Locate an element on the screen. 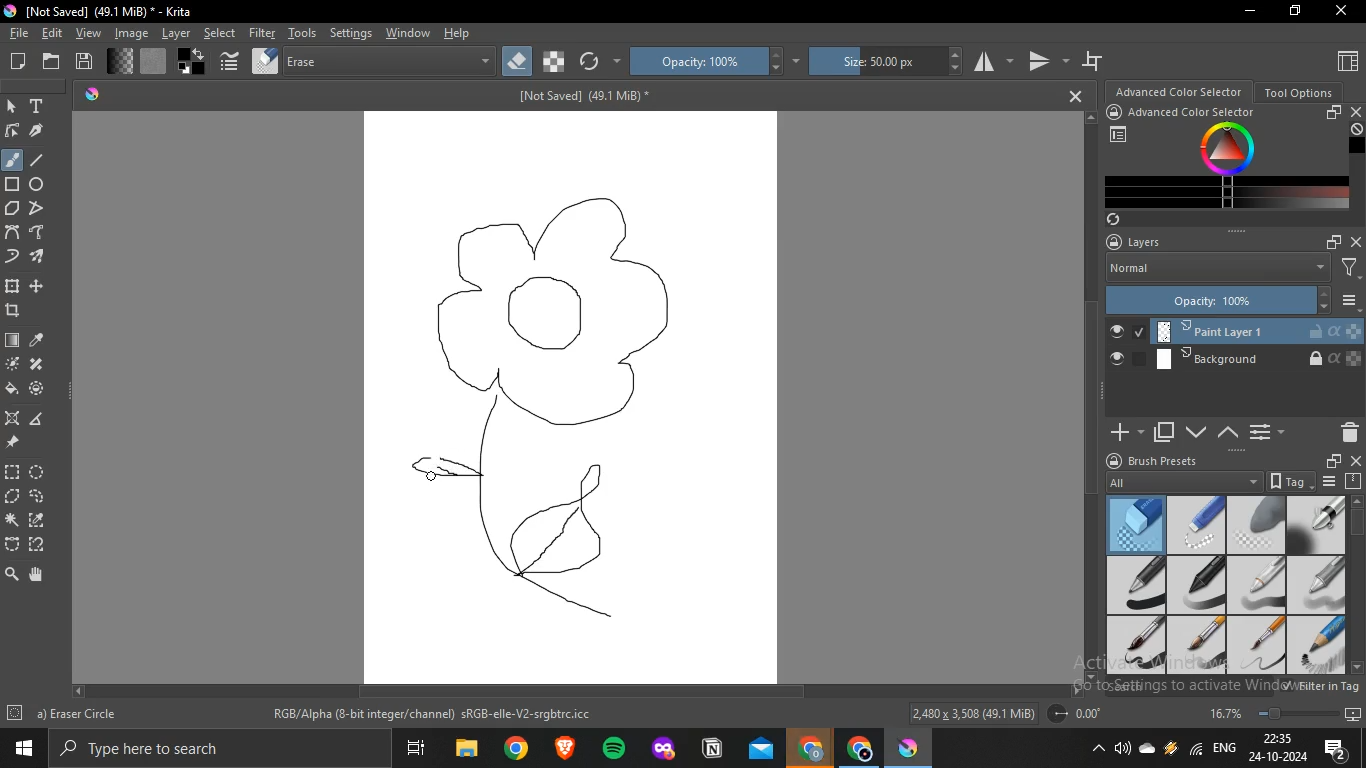 Image resolution: width=1366 pixels, height=768 pixels. sample color from layer or image is located at coordinates (38, 341).